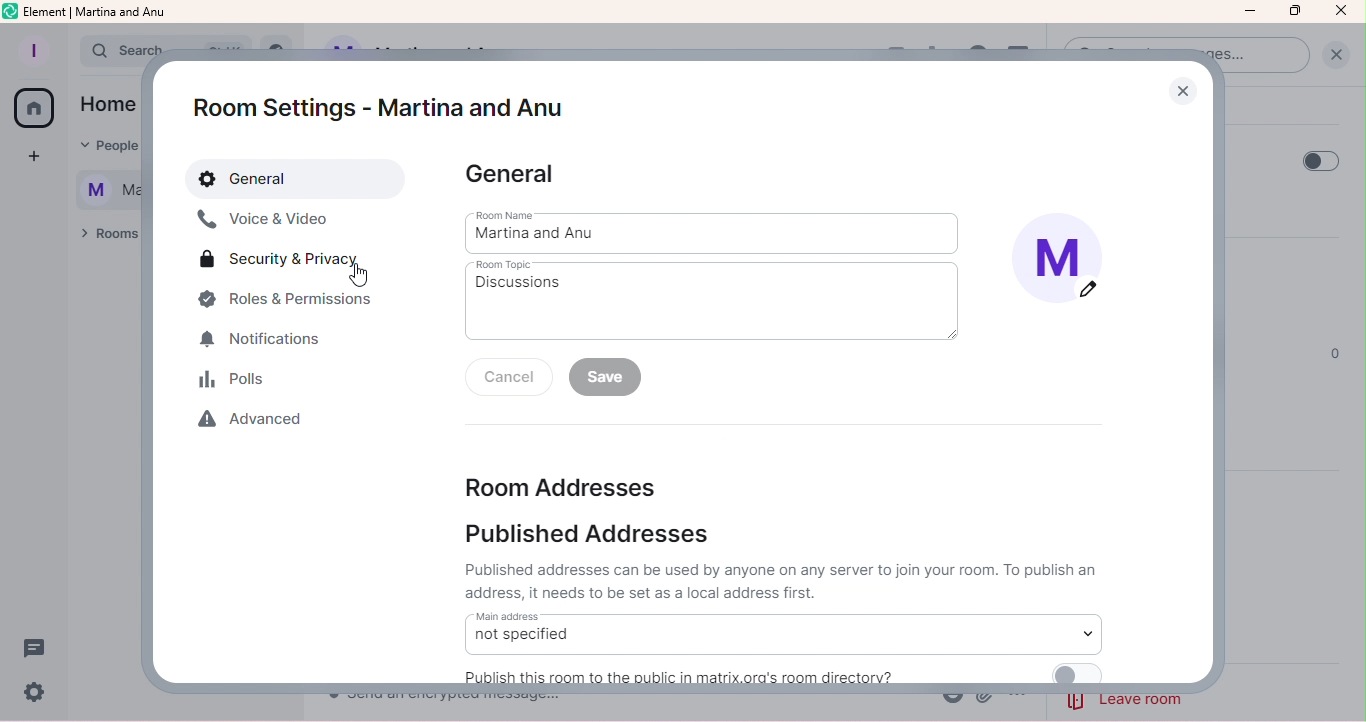 The width and height of the screenshot is (1366, 722). I want to click on Main address, so click(808, 638).